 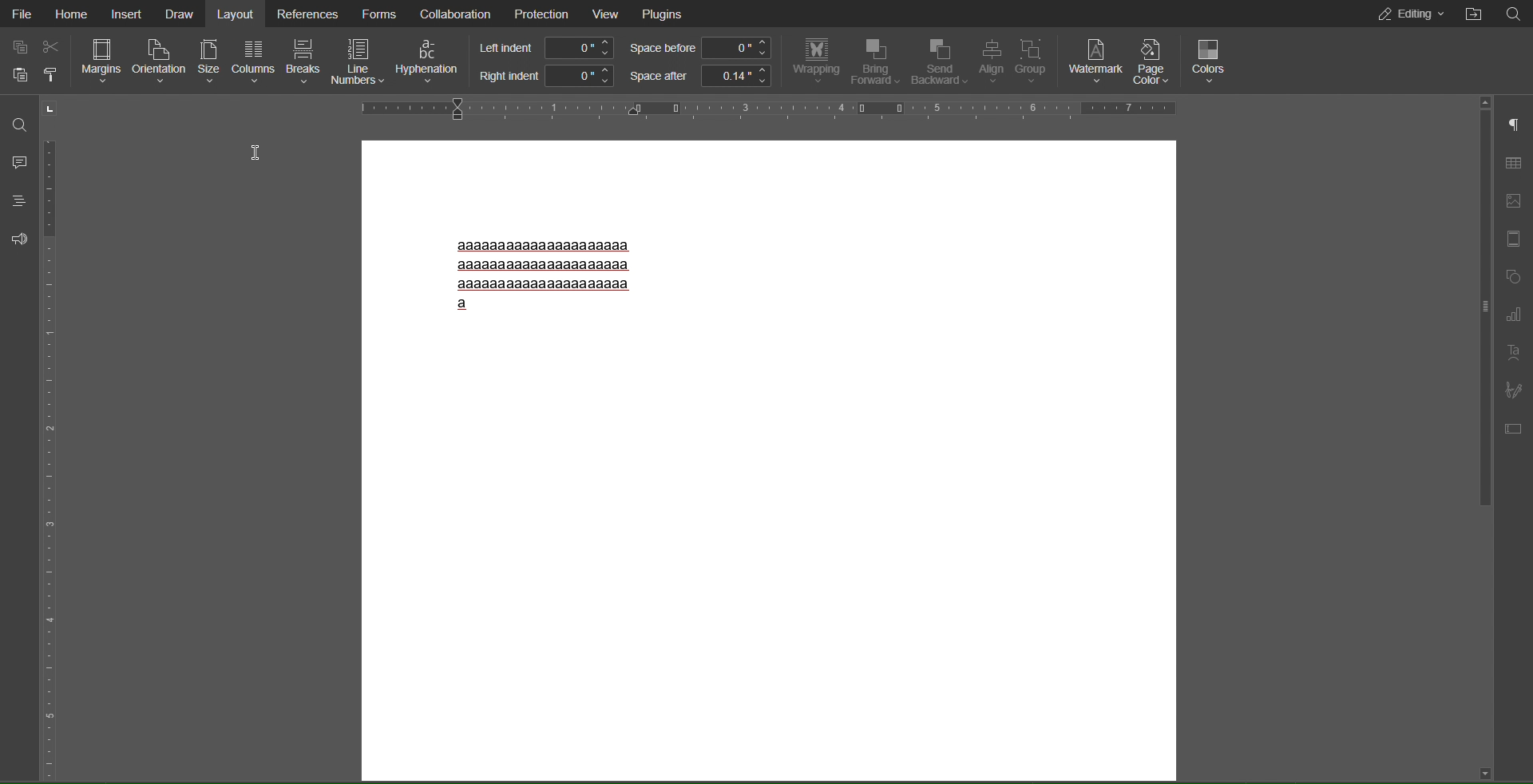 I want to click on Header/Footer, so click(x=1515, y=239).